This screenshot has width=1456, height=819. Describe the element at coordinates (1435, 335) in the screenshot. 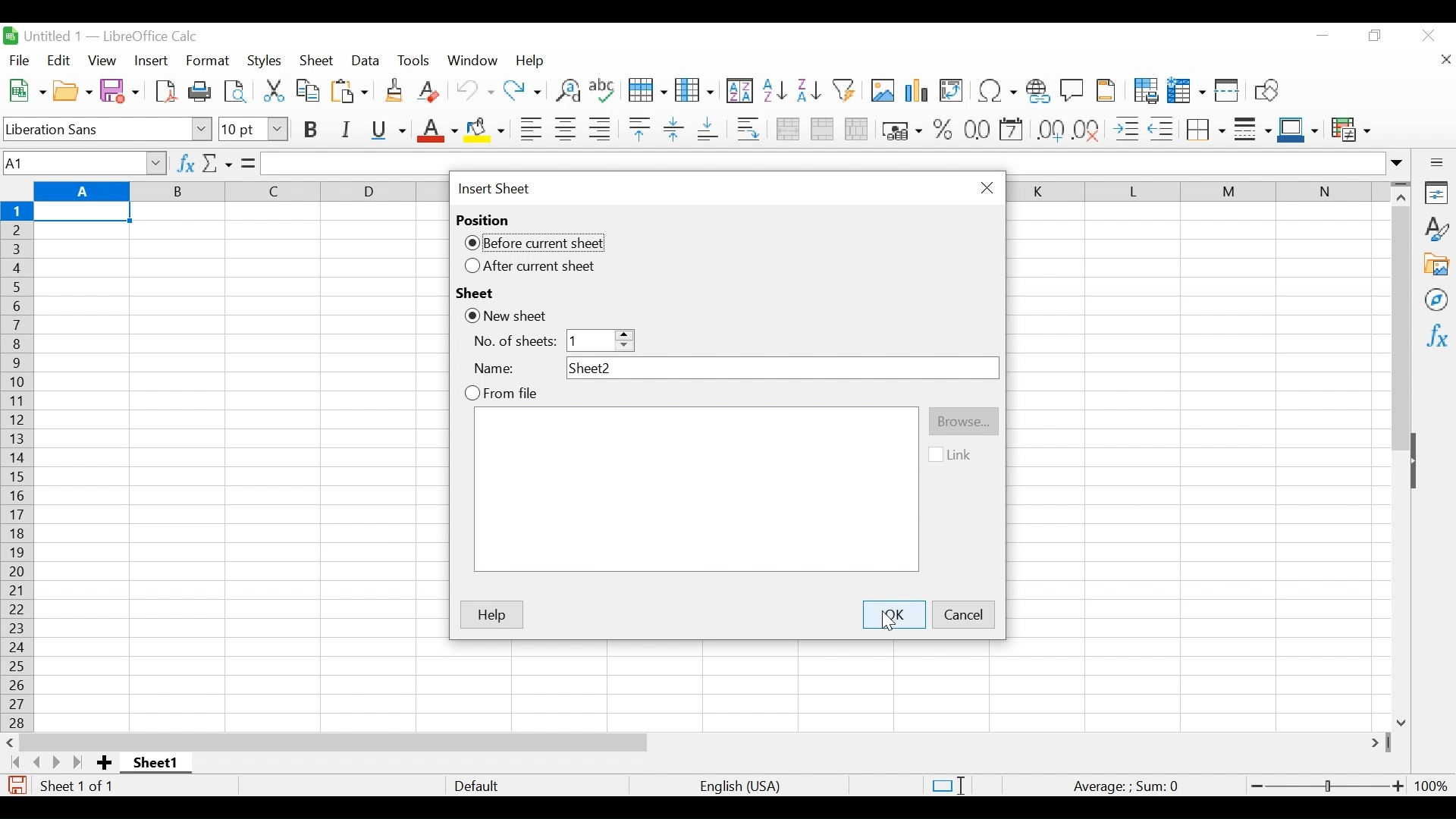

I see `Functions` at that location.